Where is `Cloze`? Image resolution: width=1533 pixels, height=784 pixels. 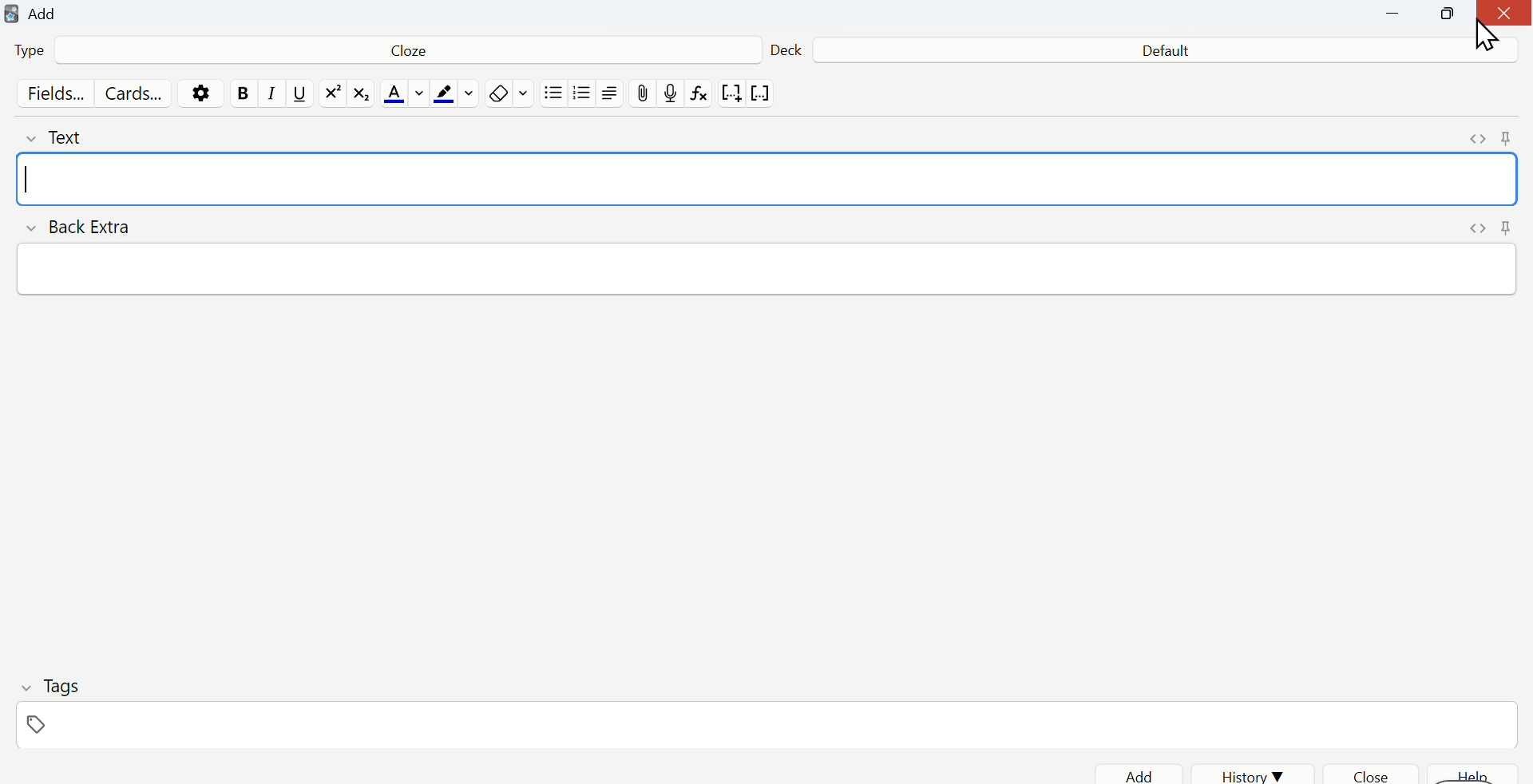 Cloze is located at coordinates (402, 53).